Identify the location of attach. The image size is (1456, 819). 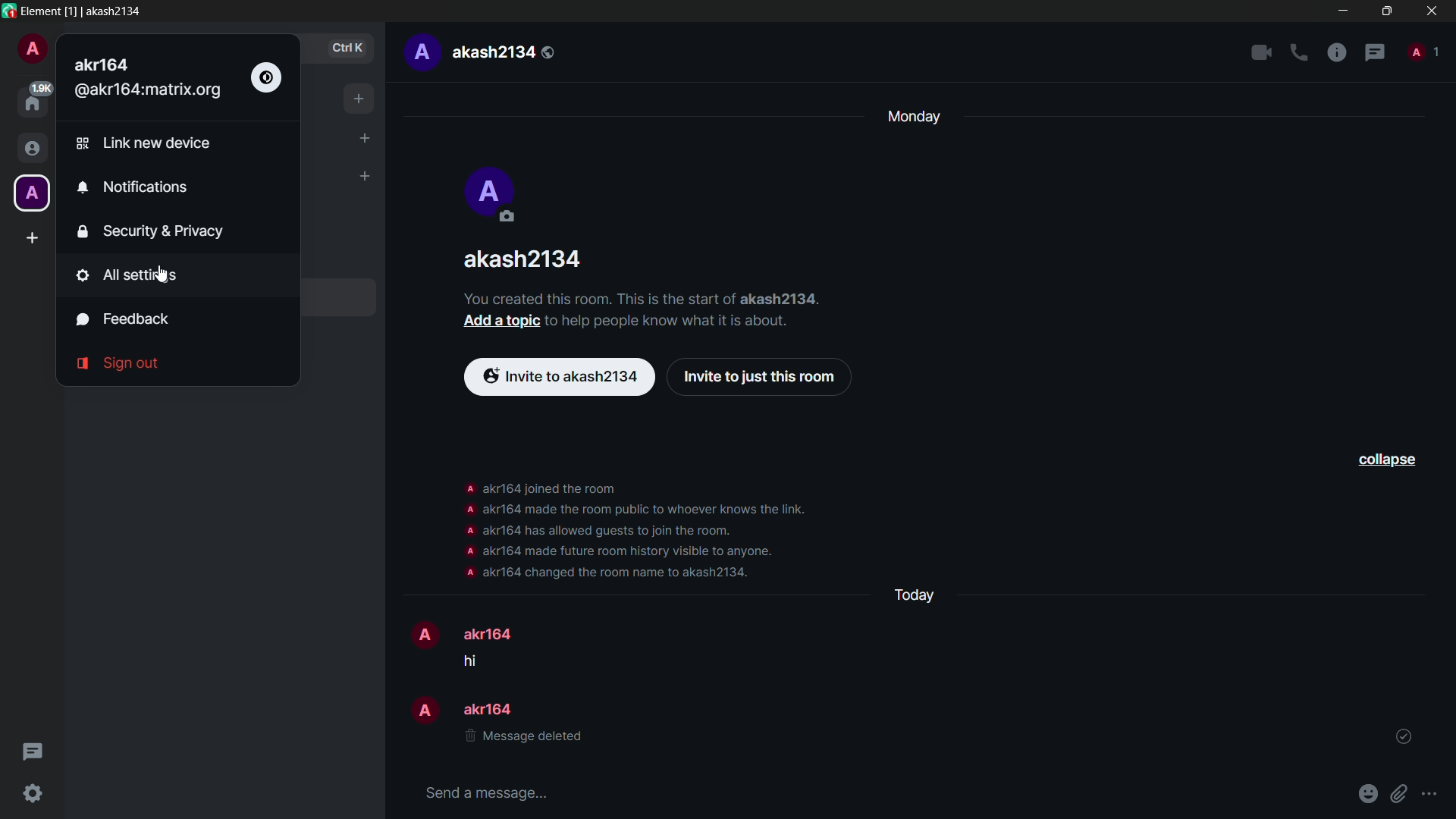
(1402, 793).